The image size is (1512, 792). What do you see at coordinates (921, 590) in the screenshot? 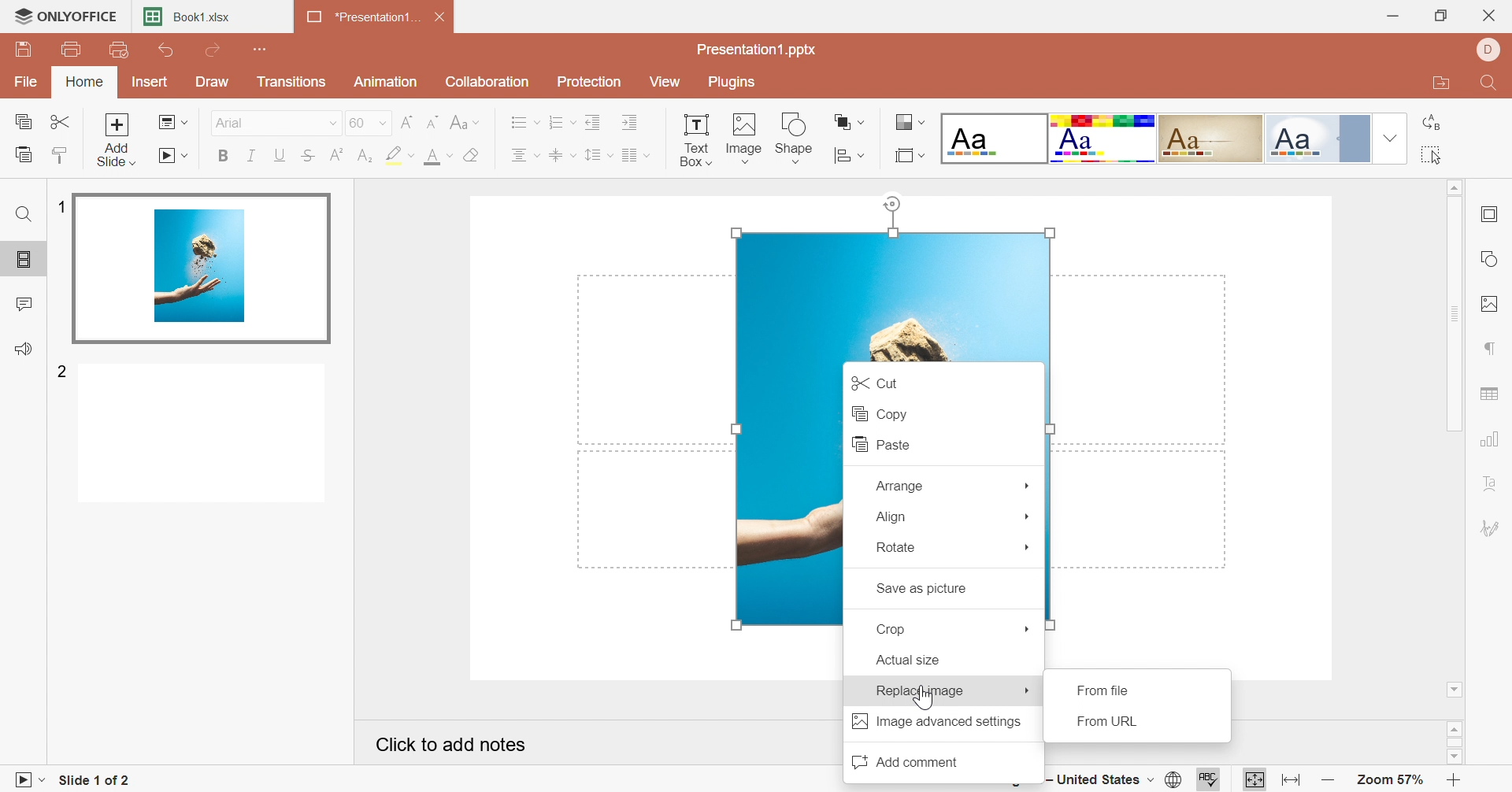
I see `Save as picture` at bounding box center [921, 590].